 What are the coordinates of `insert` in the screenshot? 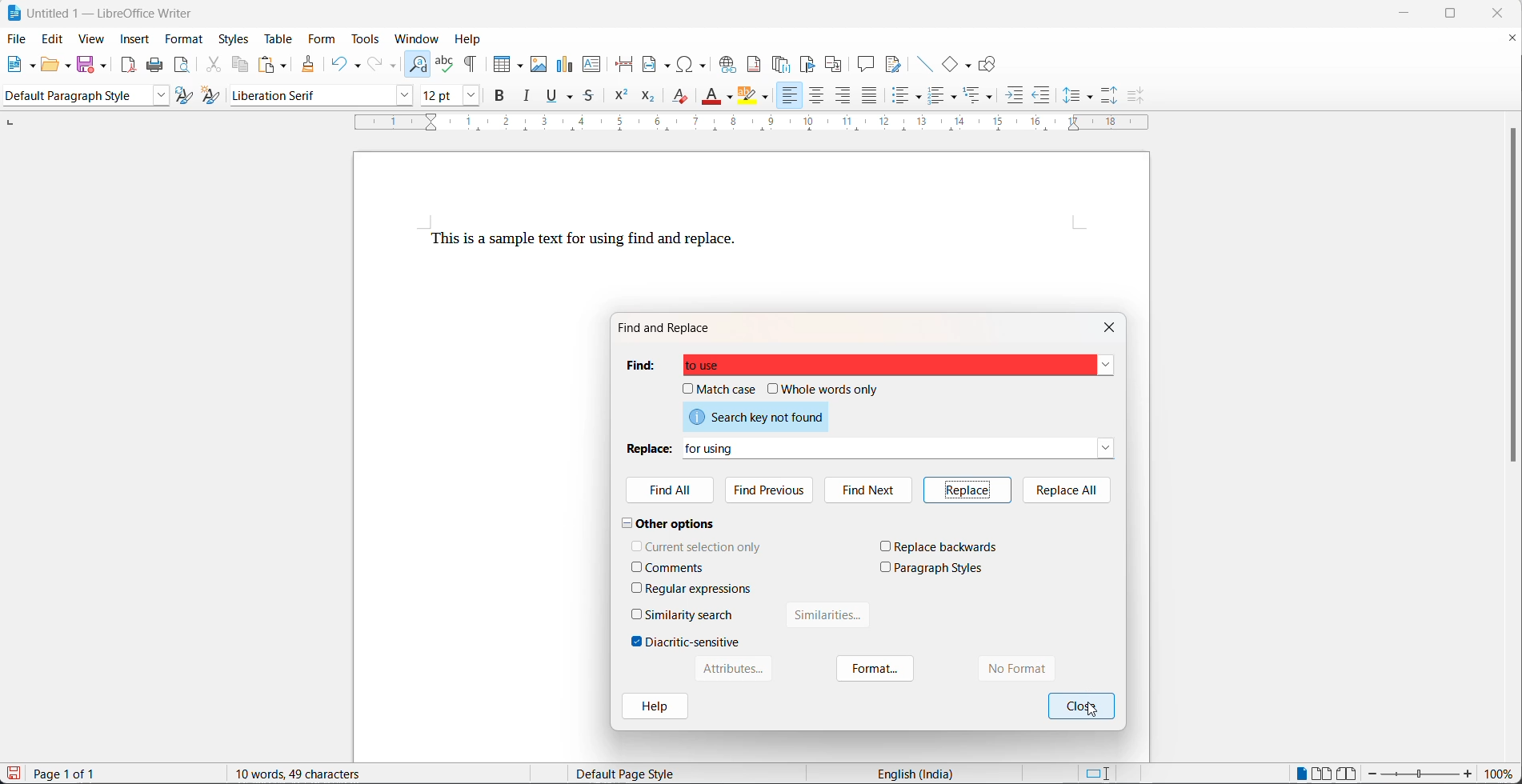 It's located at (135, 38).